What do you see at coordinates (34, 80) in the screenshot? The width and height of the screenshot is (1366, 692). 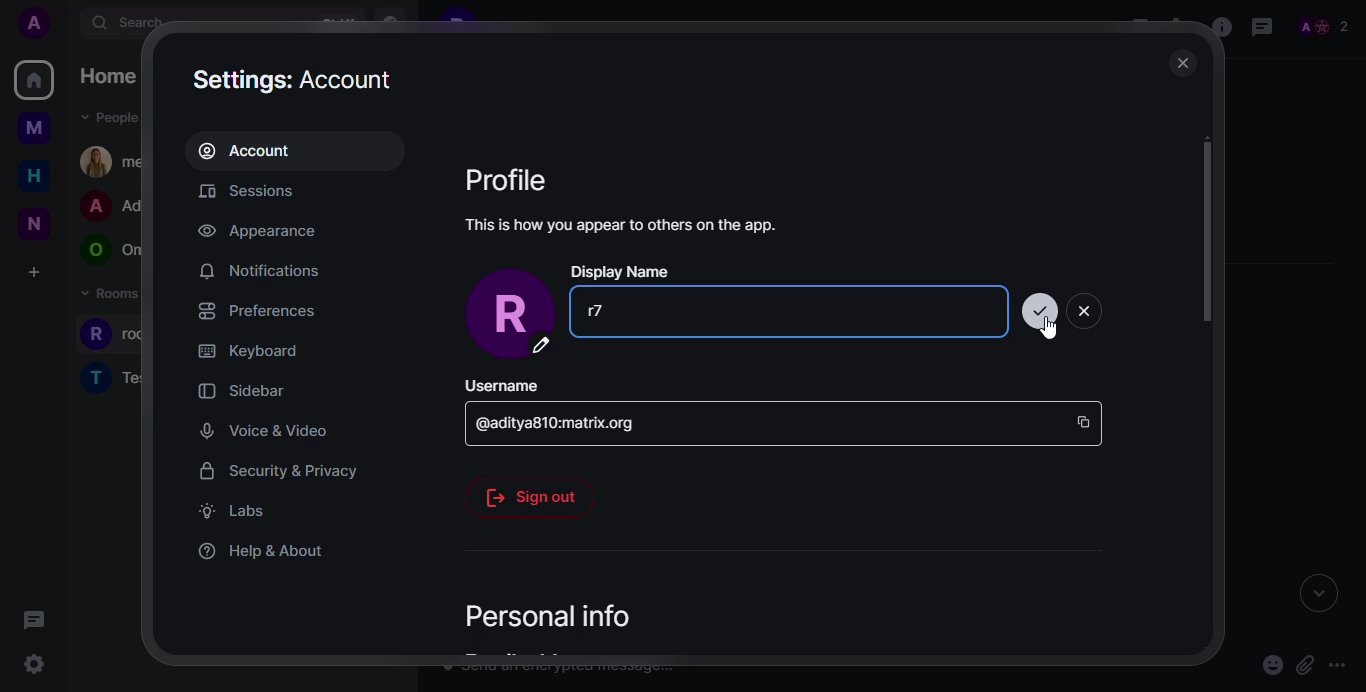 I see `home` at bounding box center [34, 80].